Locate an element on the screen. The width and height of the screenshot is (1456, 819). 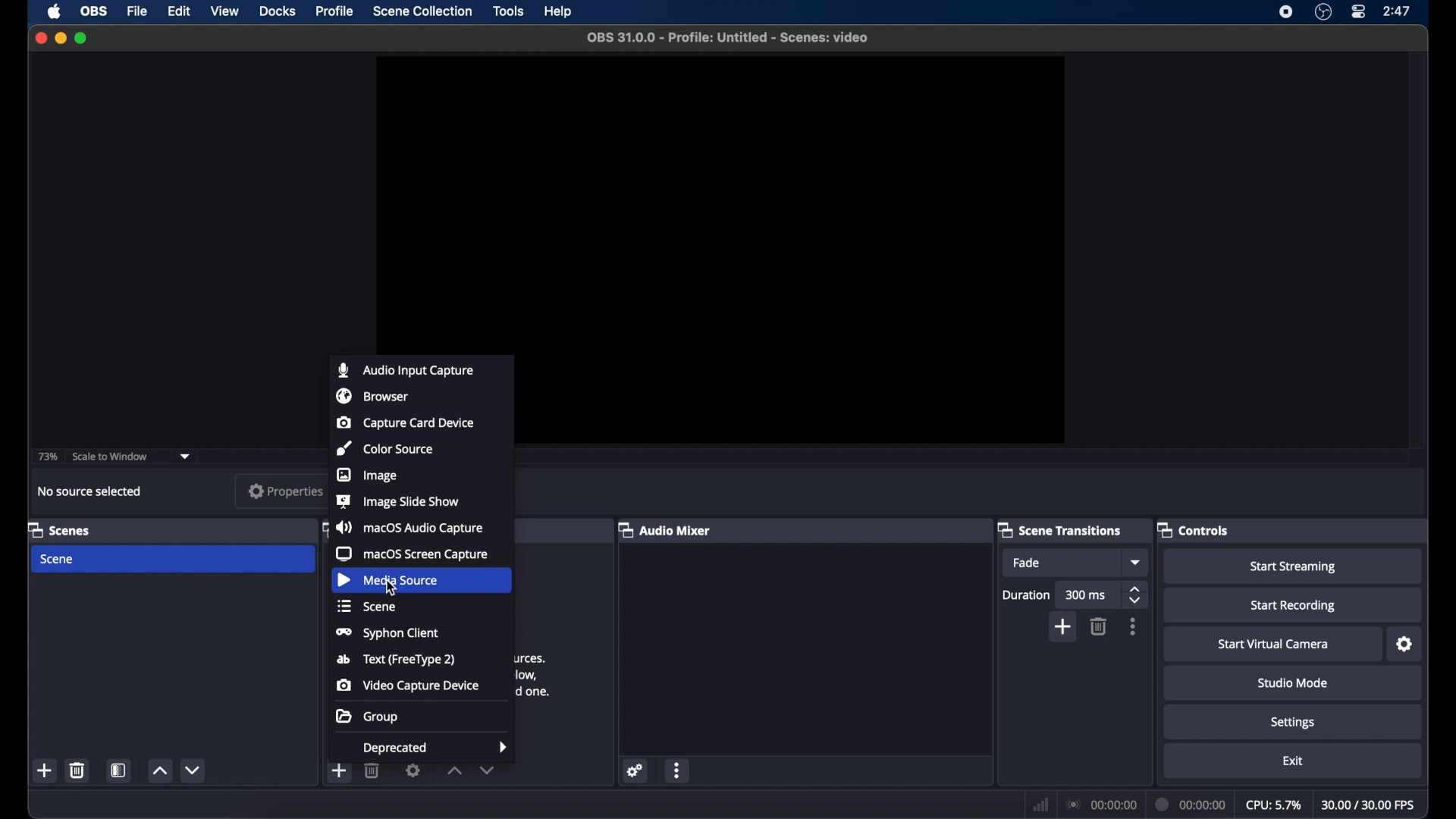
audio mixer is located at coordinates (664, 529).